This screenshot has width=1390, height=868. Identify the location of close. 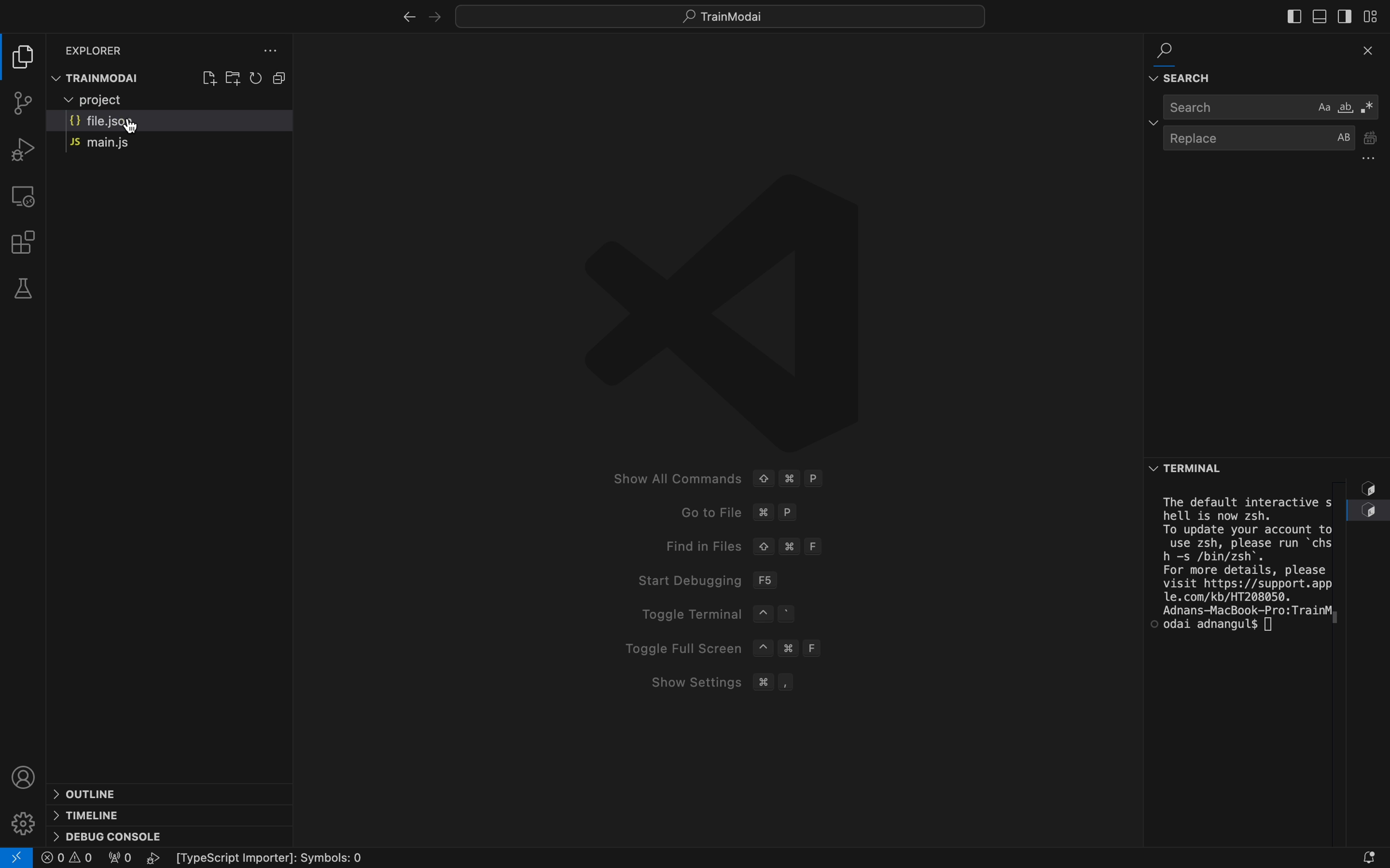
(1358, 52).